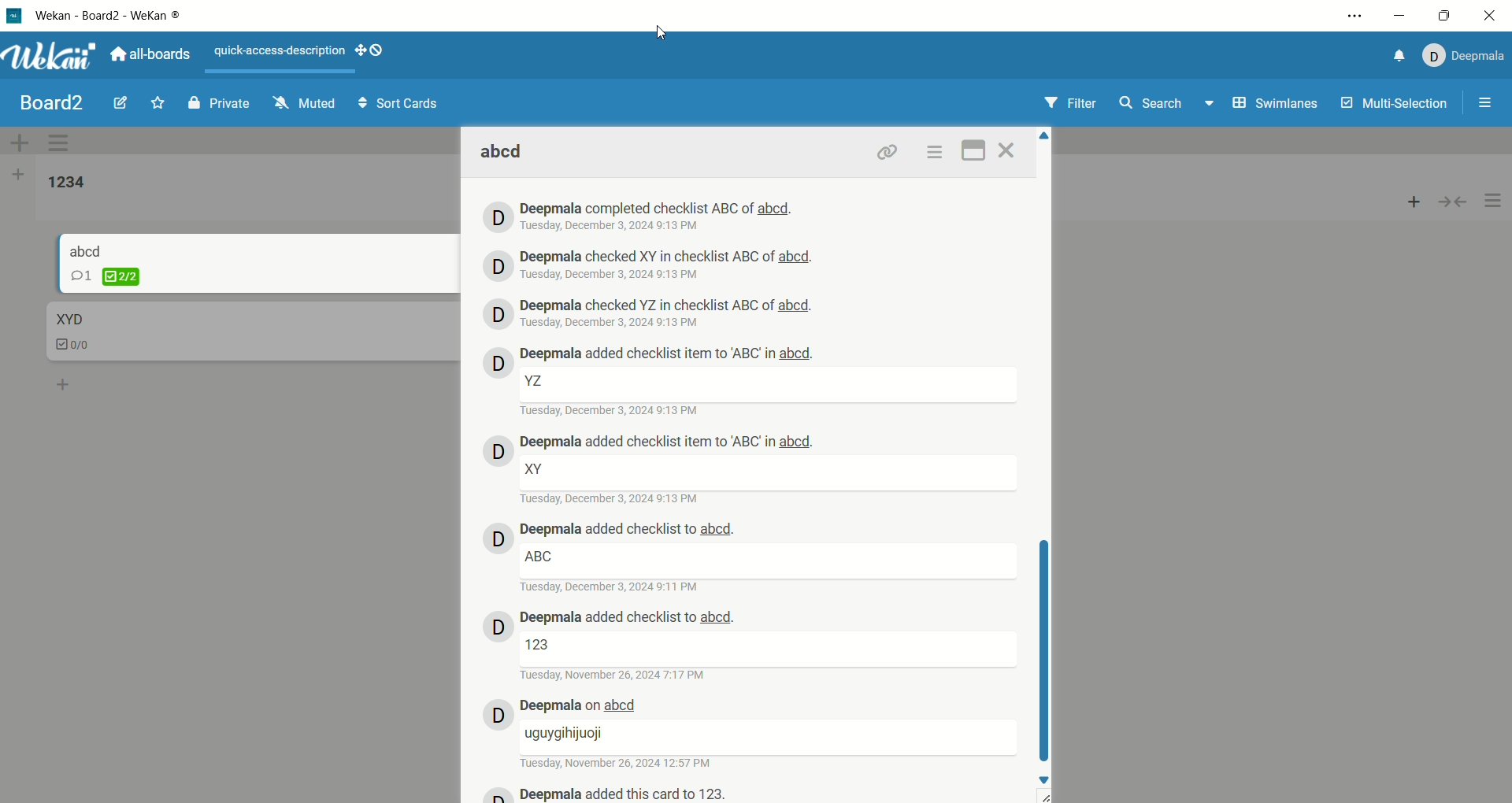  What do you see at coordinates (1046, 137) in the screenshot?
I see `Up` at bounding box center [1046, 137].